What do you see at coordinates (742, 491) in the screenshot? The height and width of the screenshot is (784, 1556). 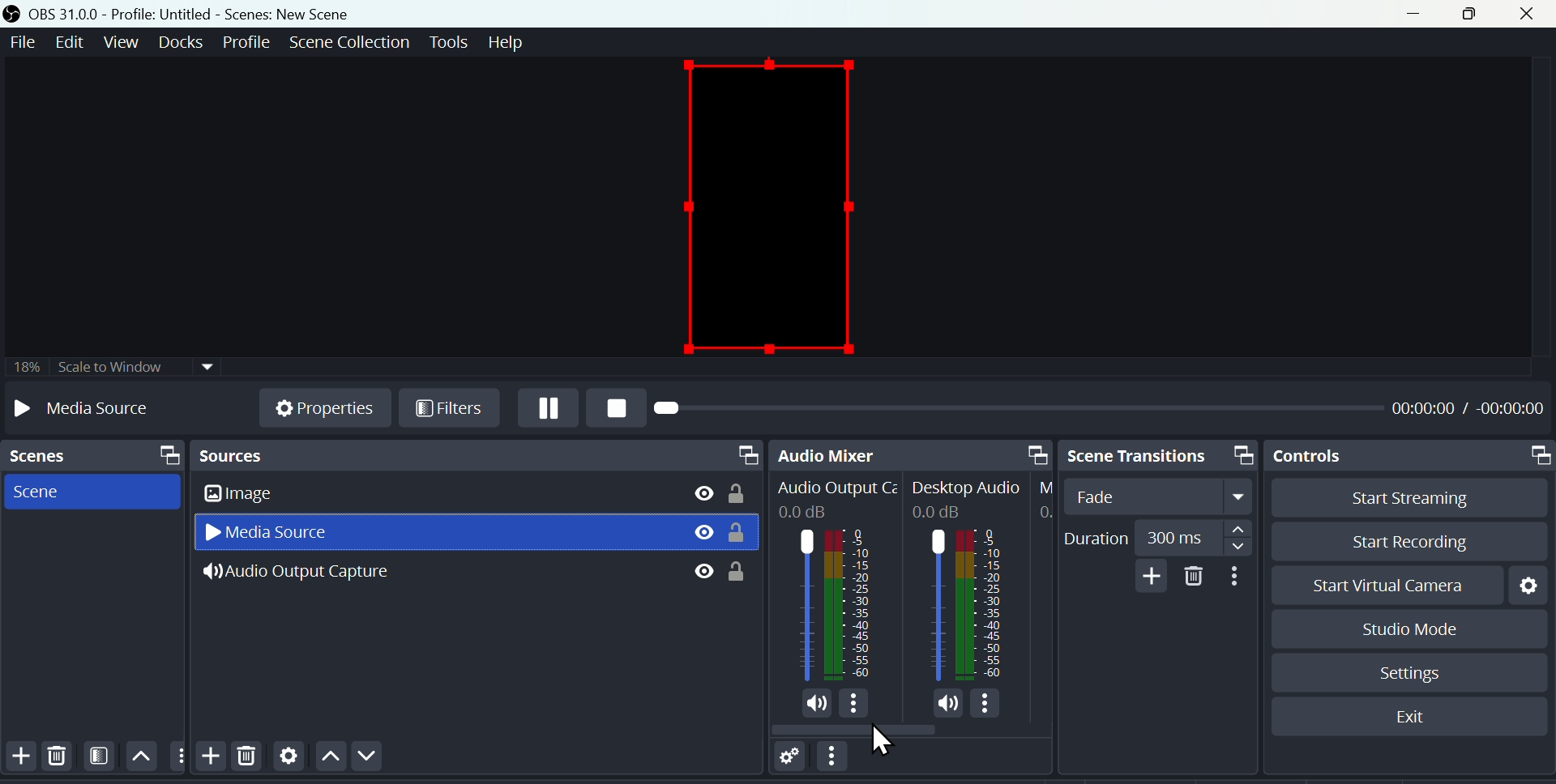 I see `Lock unlock` at bounding box center [742, 491].